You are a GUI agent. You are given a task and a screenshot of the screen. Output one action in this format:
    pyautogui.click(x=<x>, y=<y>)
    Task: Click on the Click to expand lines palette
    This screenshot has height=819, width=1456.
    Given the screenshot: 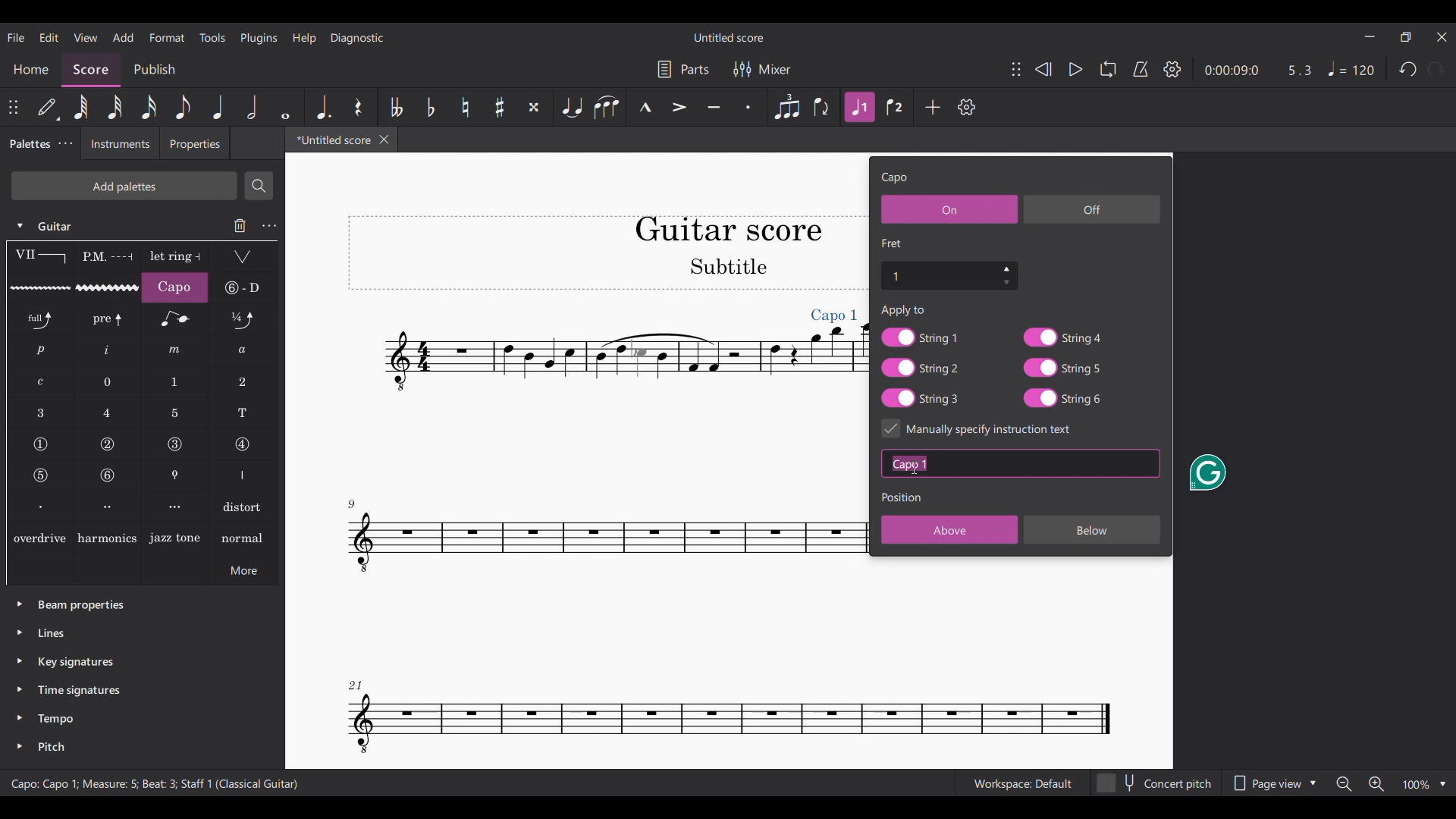 What is the action you would take?
    pyautogui.click(x=19, y=632)
    